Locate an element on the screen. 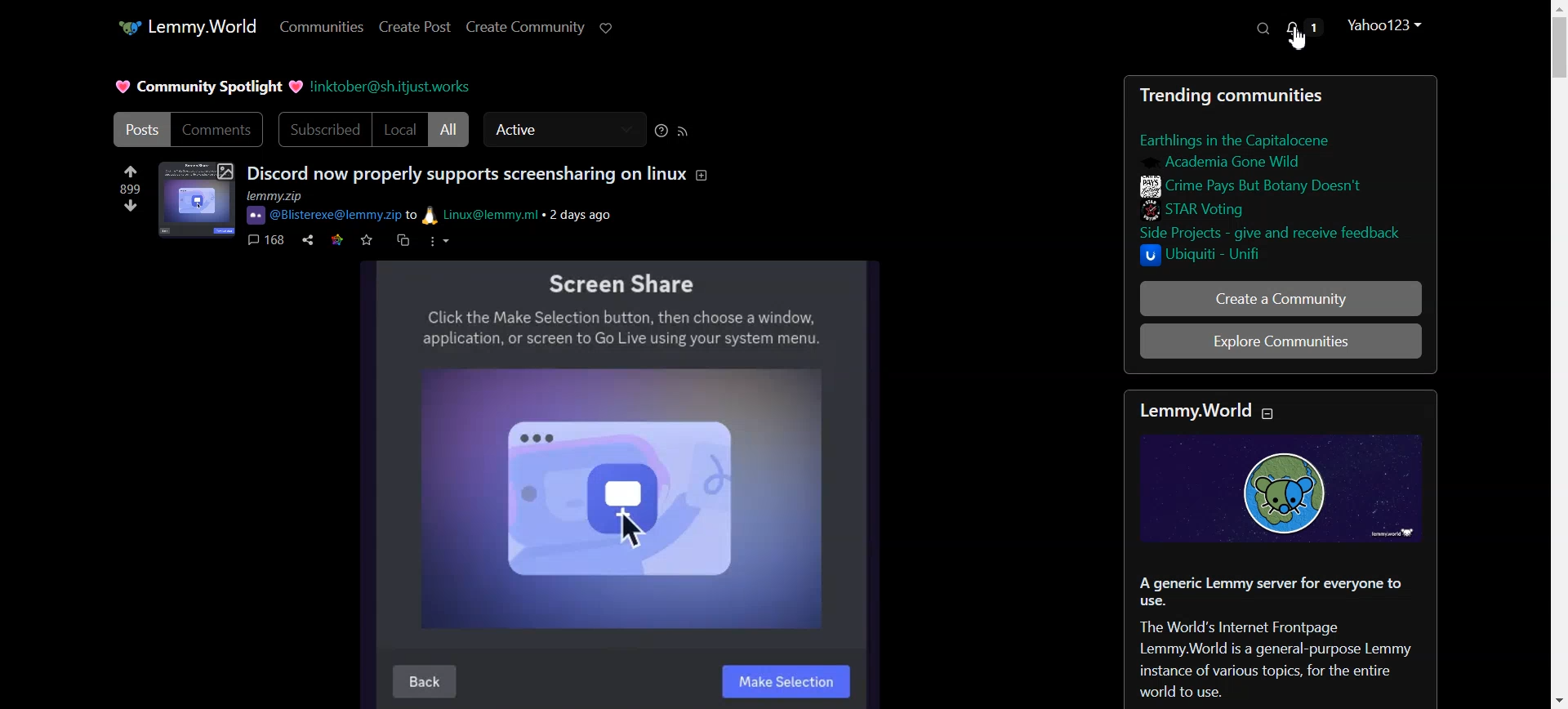 The image size is (1568, 709). Profile is located at coordinates (1385, 26).